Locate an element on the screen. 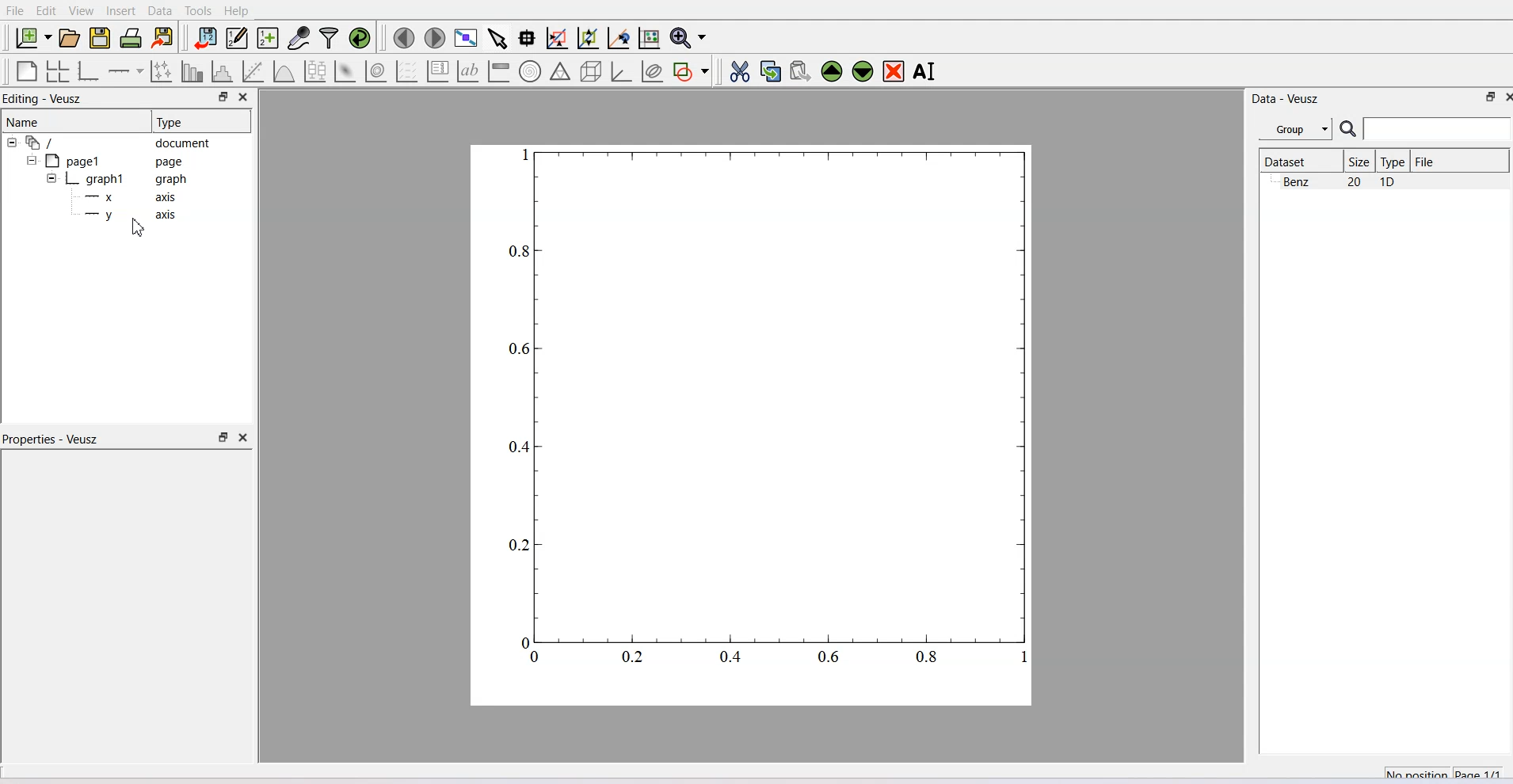  Collapse is located at coordinates (33, 160).